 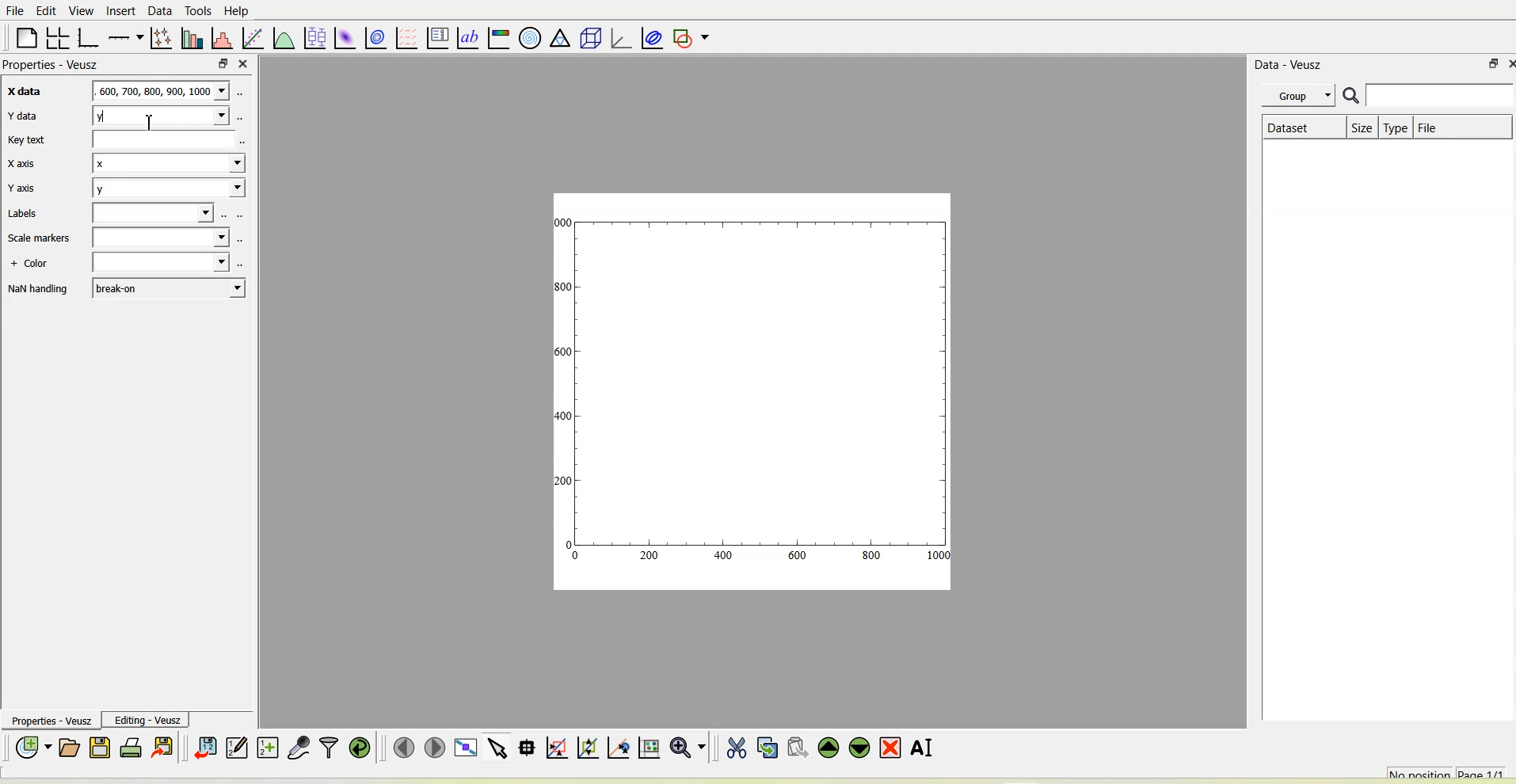 I want to click on Save the document, so click(x=101, y=748).